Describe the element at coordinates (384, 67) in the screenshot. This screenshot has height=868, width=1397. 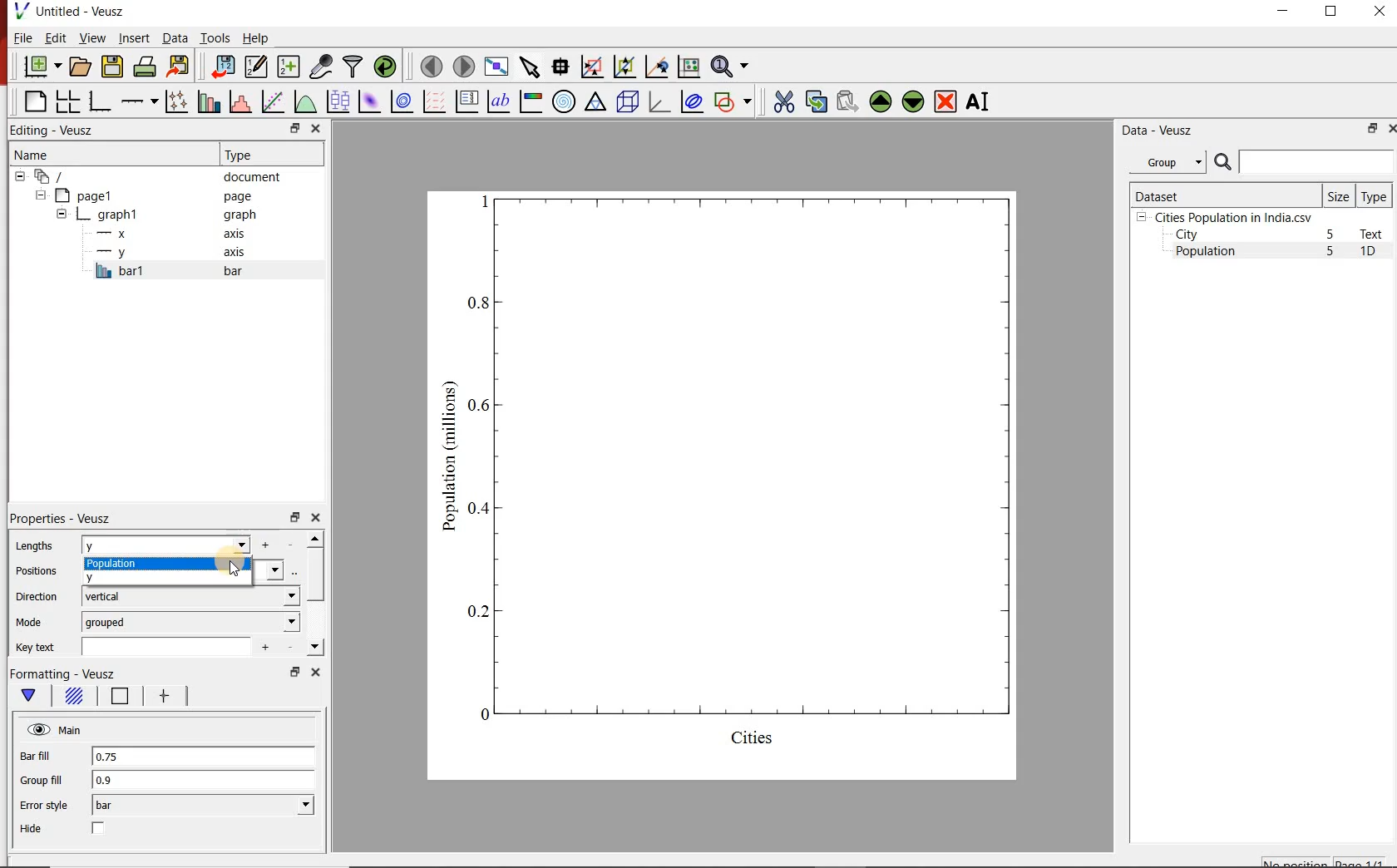
I see `reload linked datasets` at that location.